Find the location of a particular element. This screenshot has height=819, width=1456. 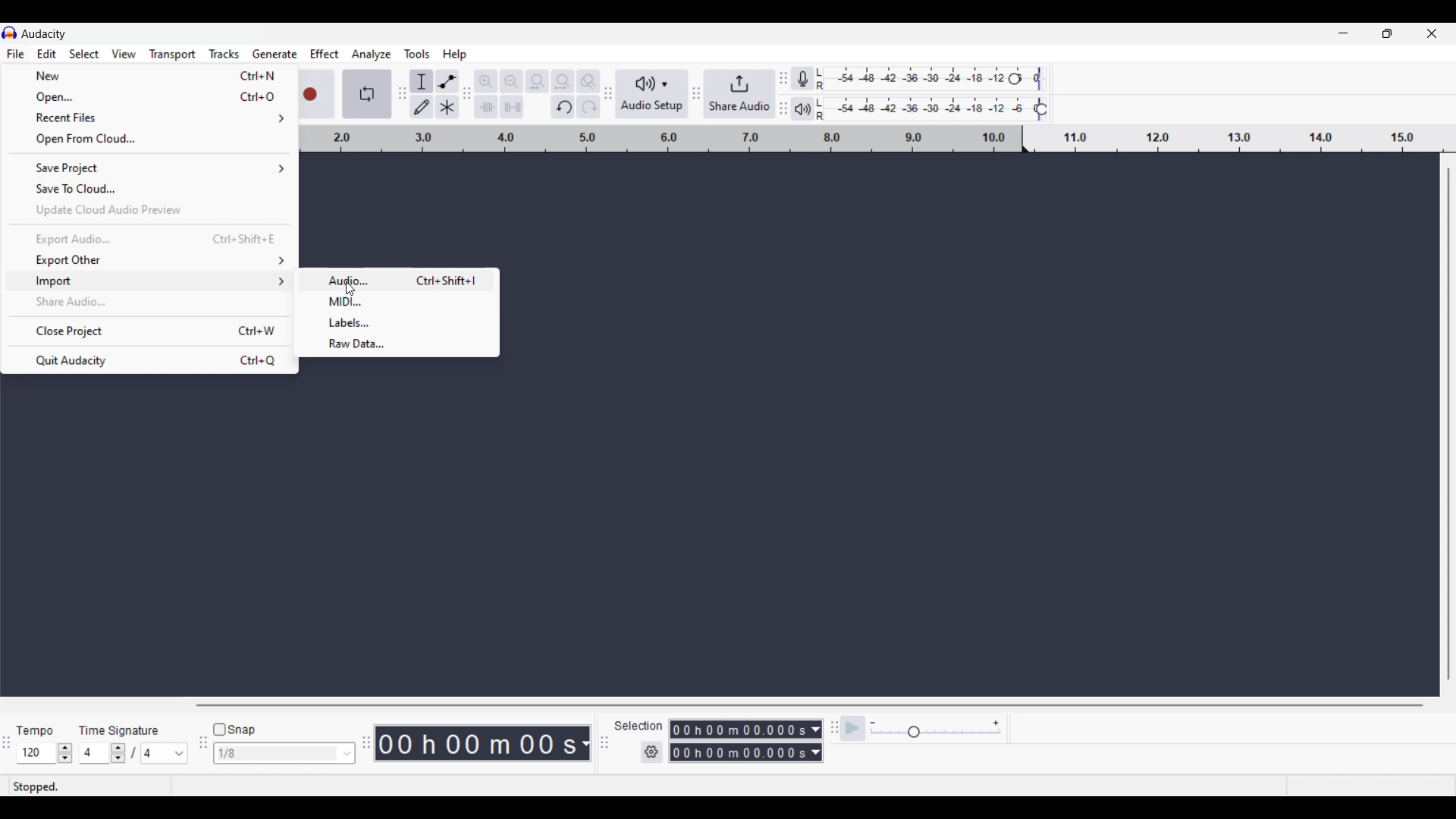

Playback level is located at coordinates (942, 109).